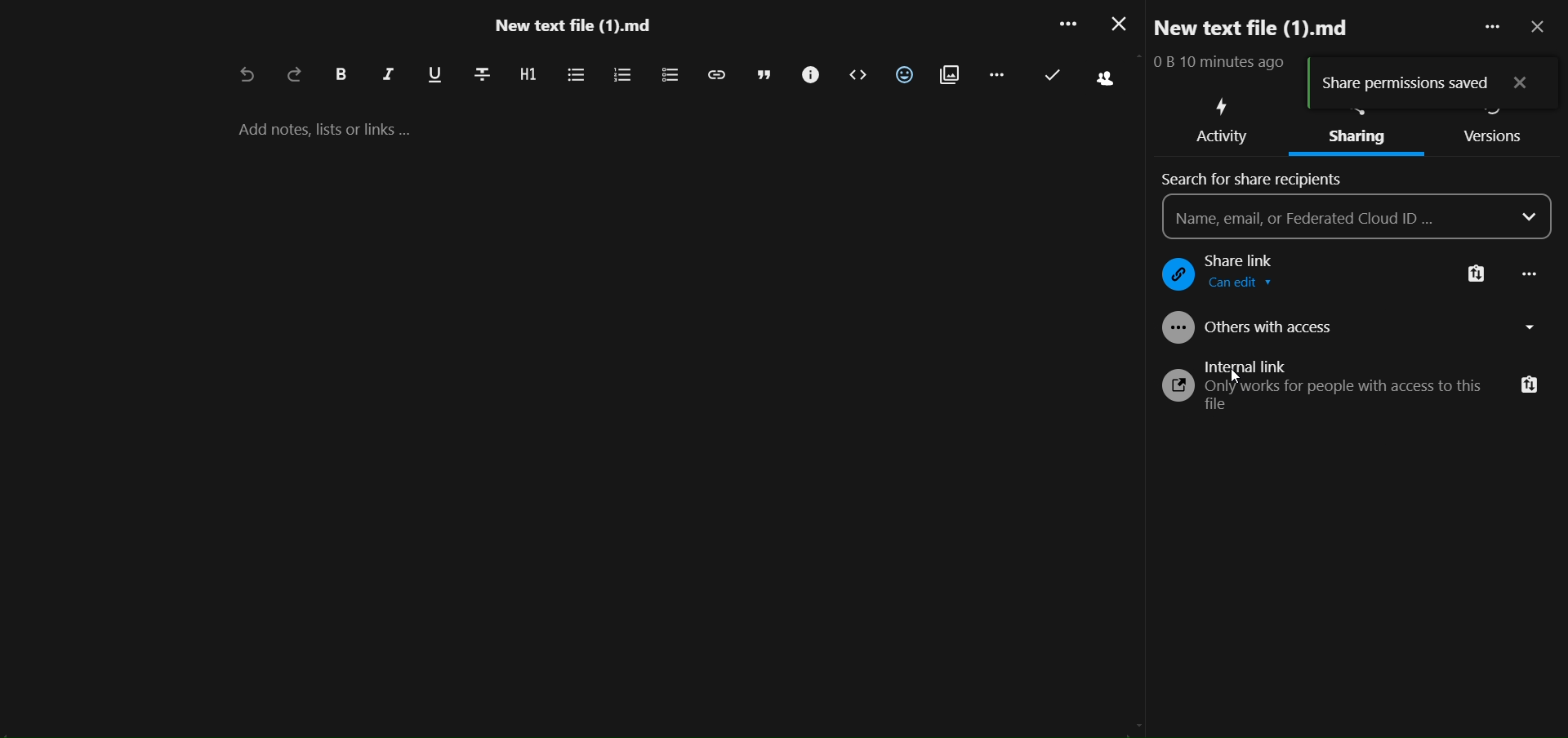  Describe the element at coordinates (1540, 28) in the screenshot. I see `close pane` at that location.